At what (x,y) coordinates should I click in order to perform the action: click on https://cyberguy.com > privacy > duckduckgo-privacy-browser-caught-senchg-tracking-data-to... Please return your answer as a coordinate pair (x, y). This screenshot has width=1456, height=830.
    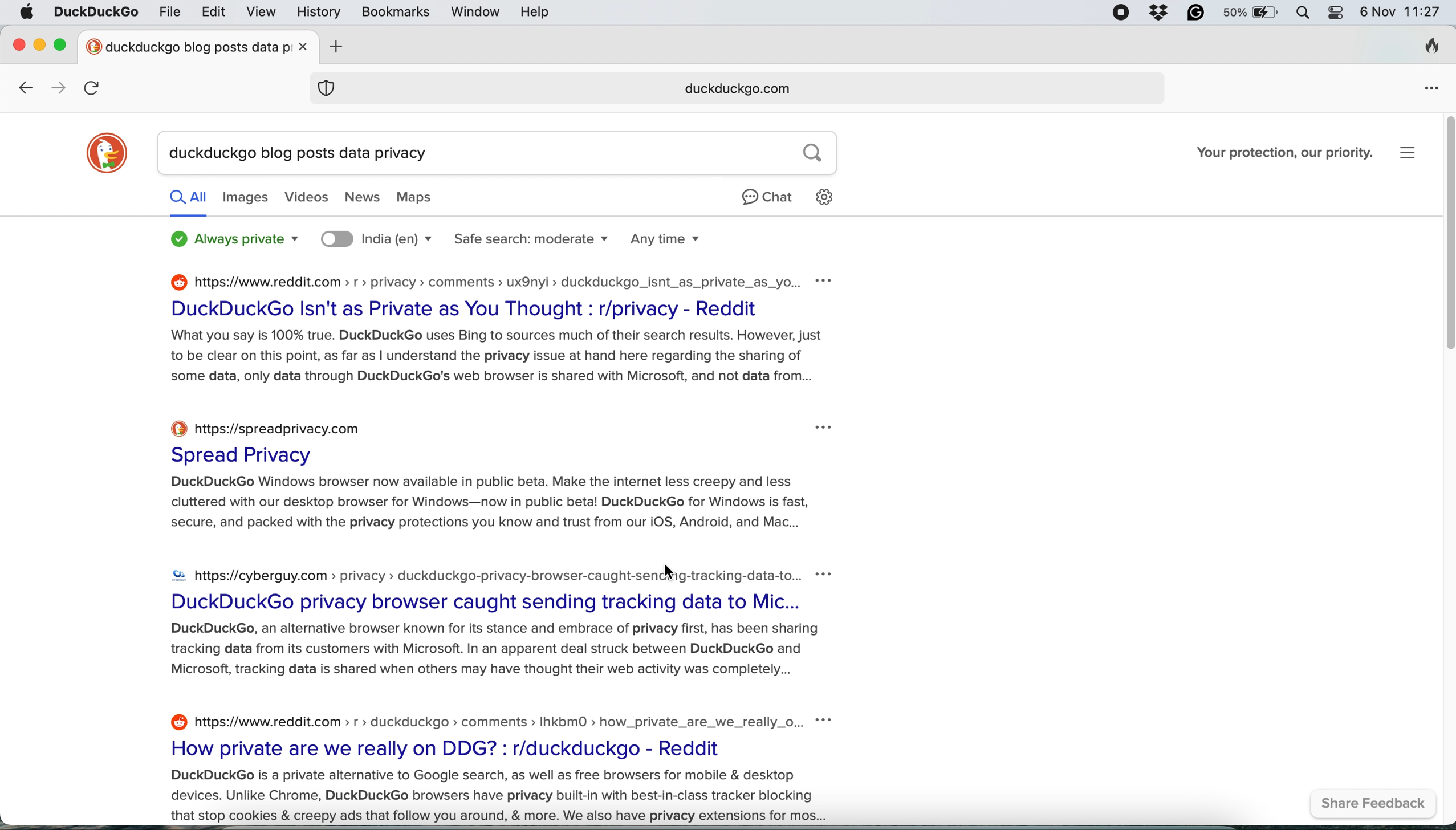
    Looking at the image, I should click on (479, 572).